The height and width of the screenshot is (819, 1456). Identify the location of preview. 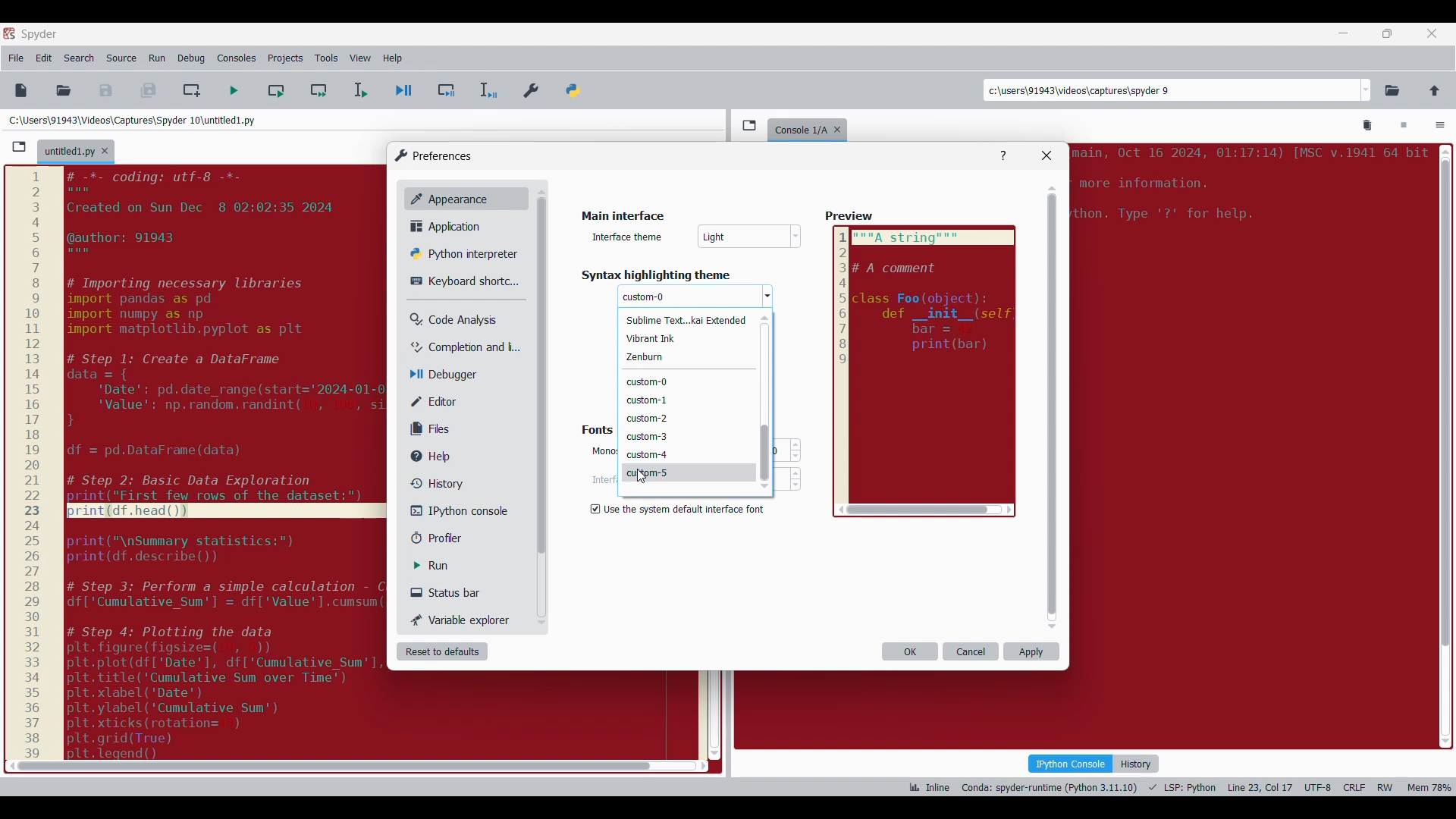
(851, 217).